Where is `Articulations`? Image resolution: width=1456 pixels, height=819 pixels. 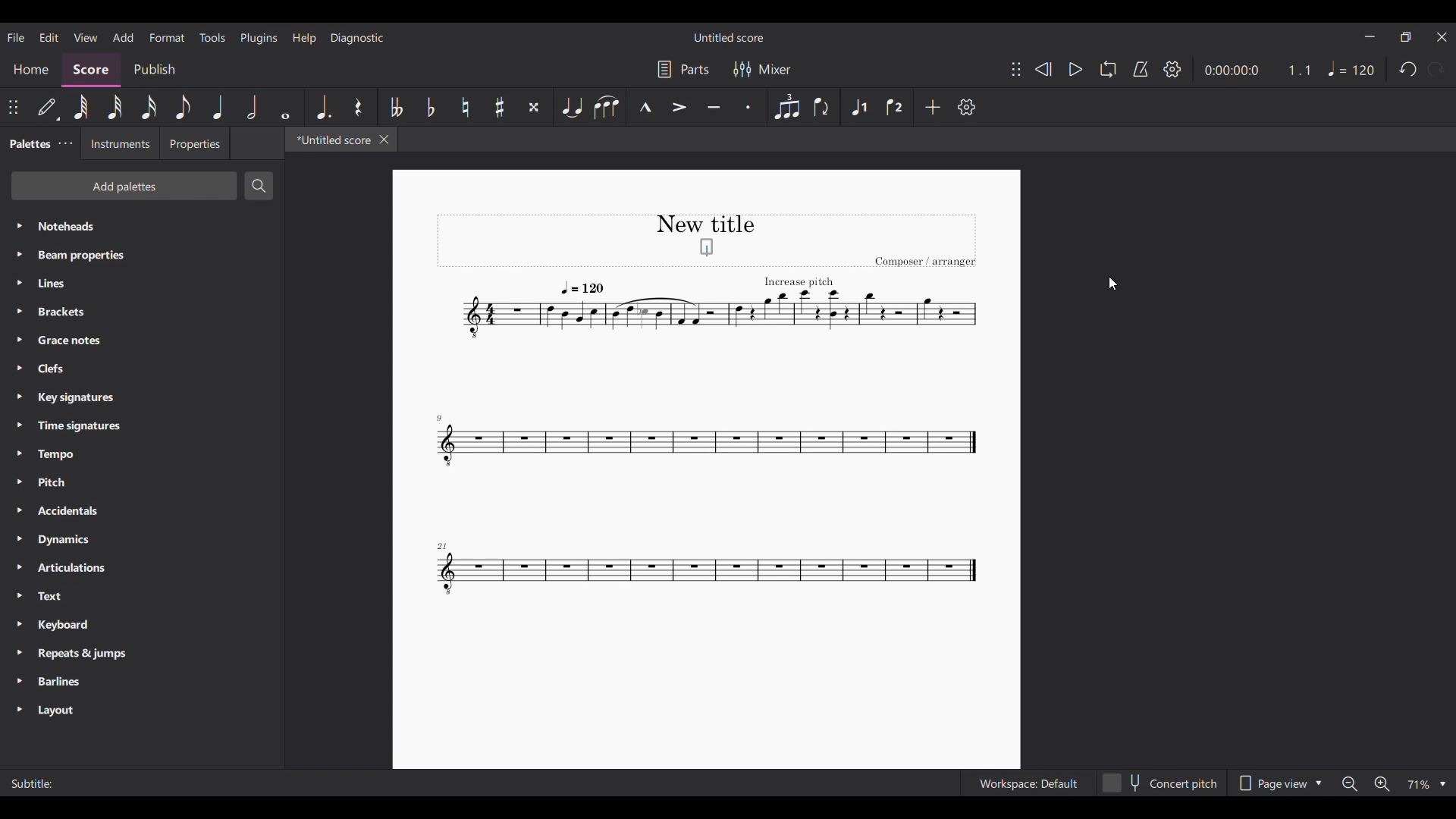
Articulations is located at coordinates (143, 568).